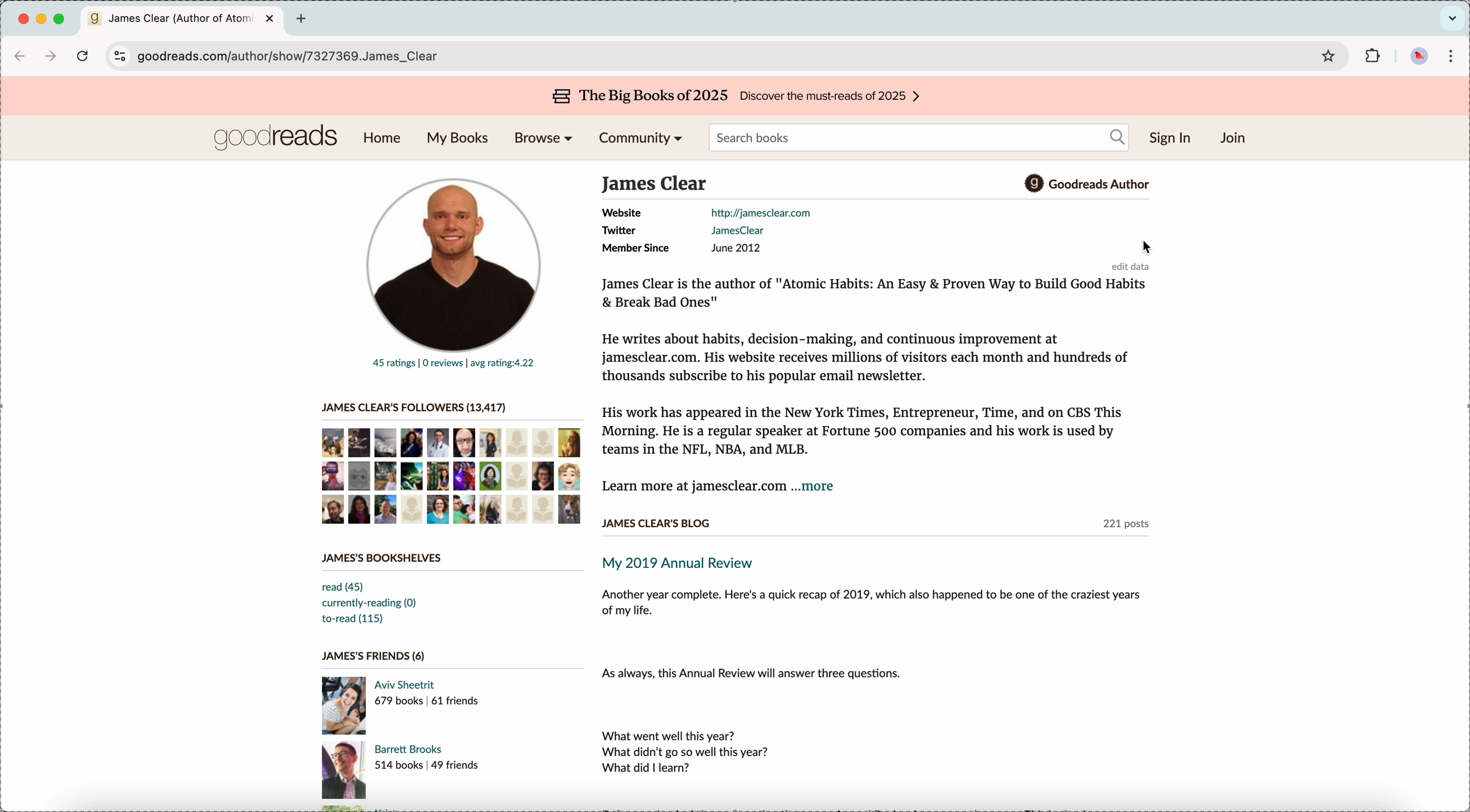 The image size is (1470, 812). What do you see at coordinates (754, 673) in the screenshot?
I see `As always, this Annual Review will answer three questions.` at bounding box center [754, 673].